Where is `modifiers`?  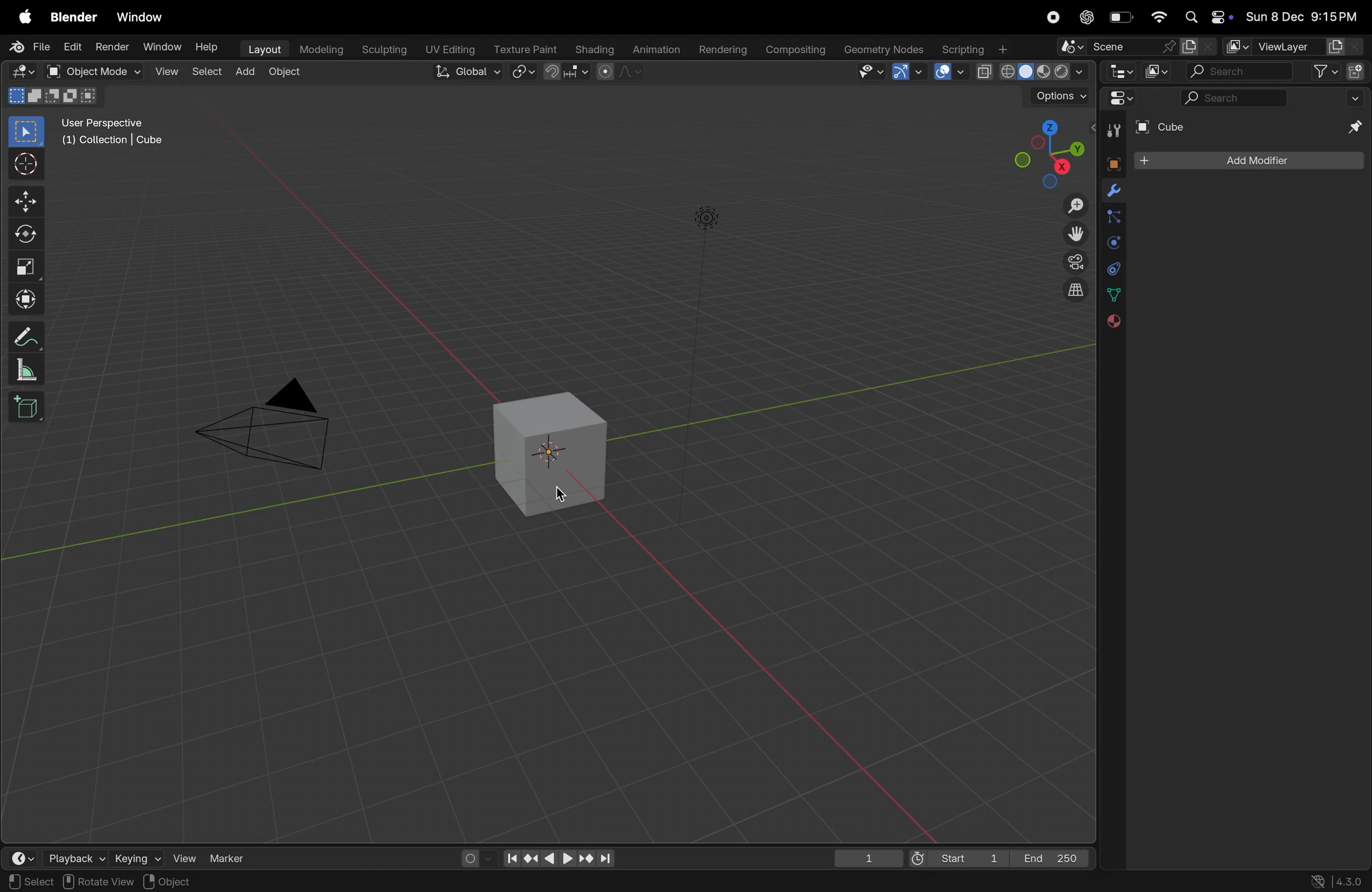 modifiers is located at coordinates (1113, 192).